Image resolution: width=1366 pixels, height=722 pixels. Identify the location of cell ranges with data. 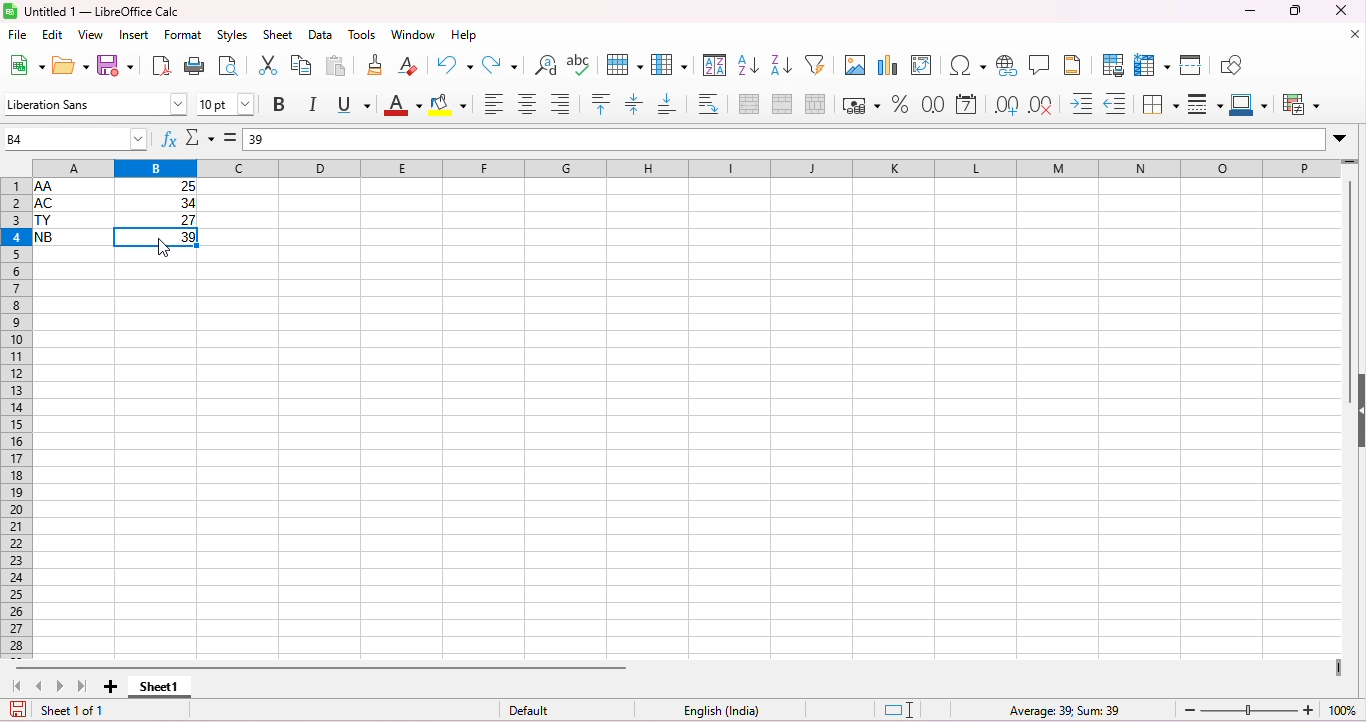
(117, 214).